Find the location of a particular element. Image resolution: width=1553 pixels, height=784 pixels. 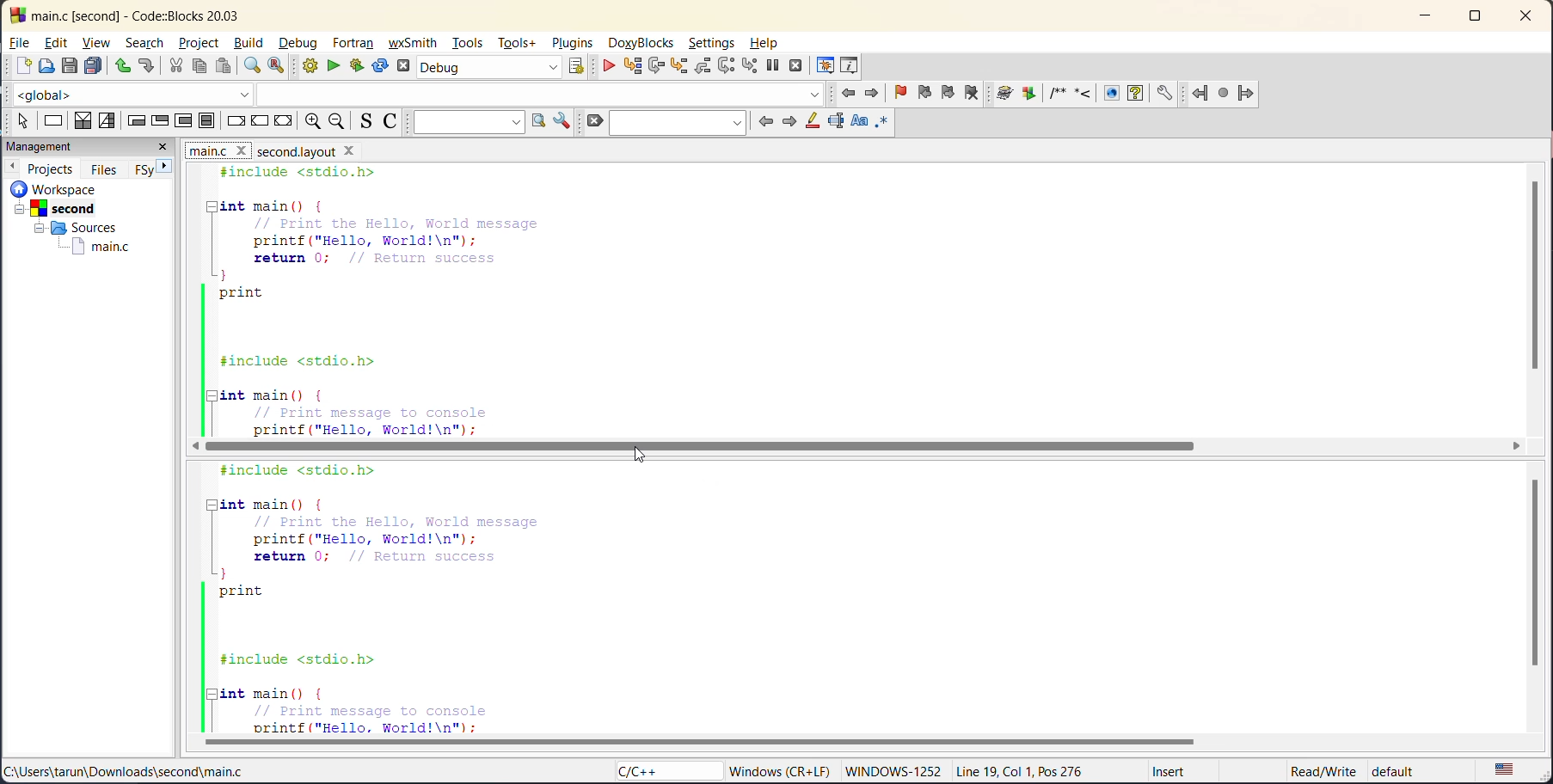

close is located at coordinates (1527, 18).